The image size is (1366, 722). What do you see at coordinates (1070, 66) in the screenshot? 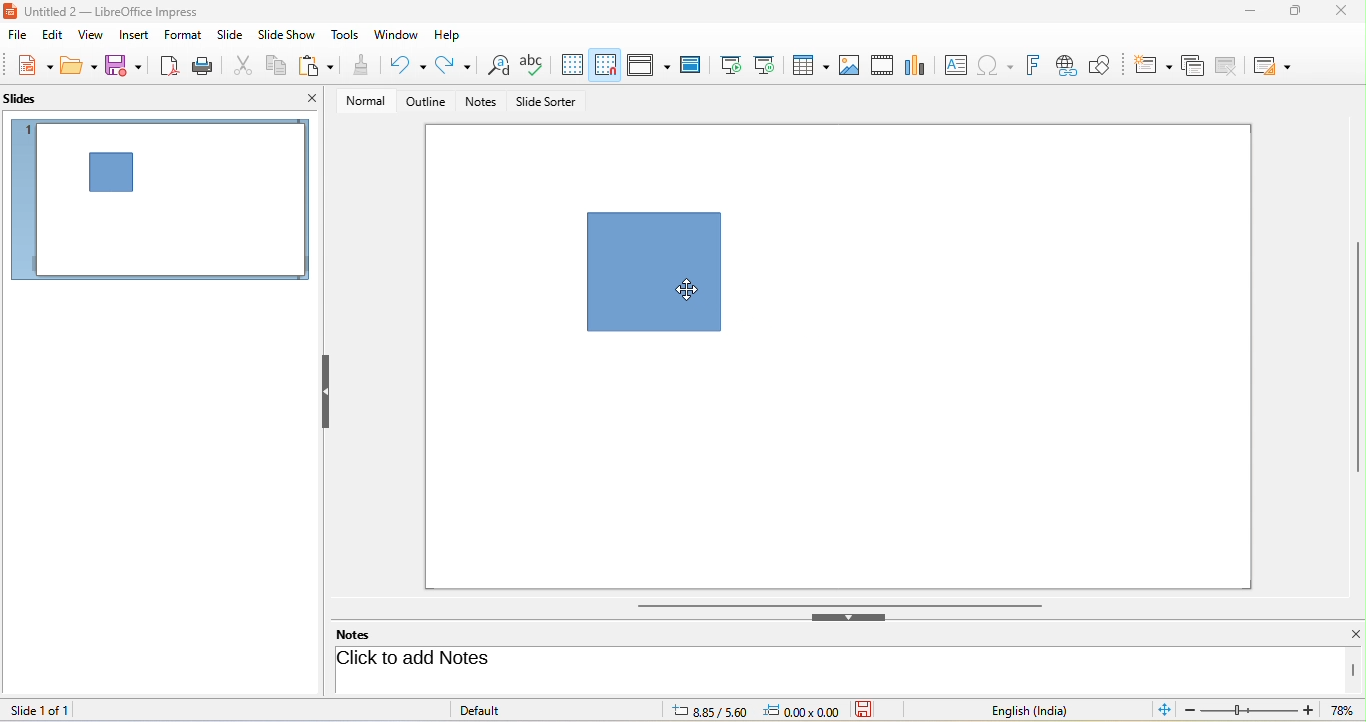
I see `hyperlink` at bounding box center [1070, 66].